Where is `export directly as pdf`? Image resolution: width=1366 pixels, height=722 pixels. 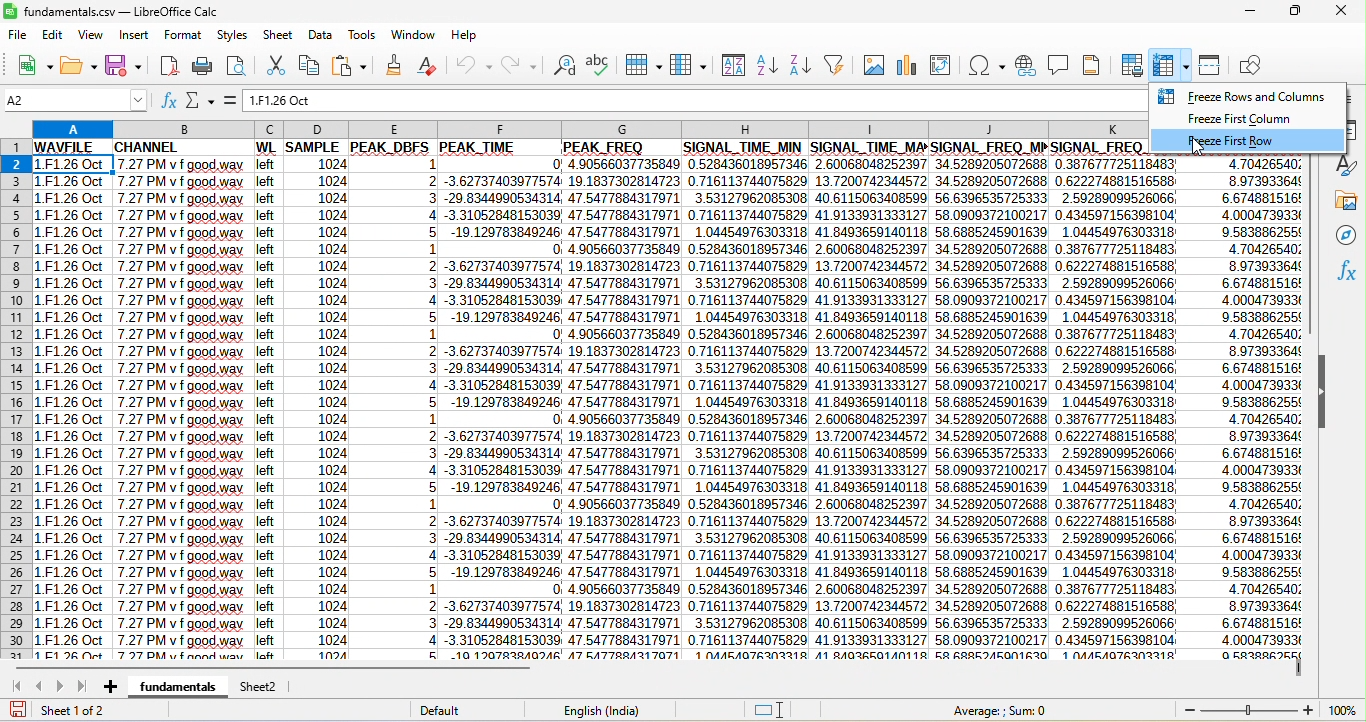 export directly as pdf is located at coordinates (168, 66).